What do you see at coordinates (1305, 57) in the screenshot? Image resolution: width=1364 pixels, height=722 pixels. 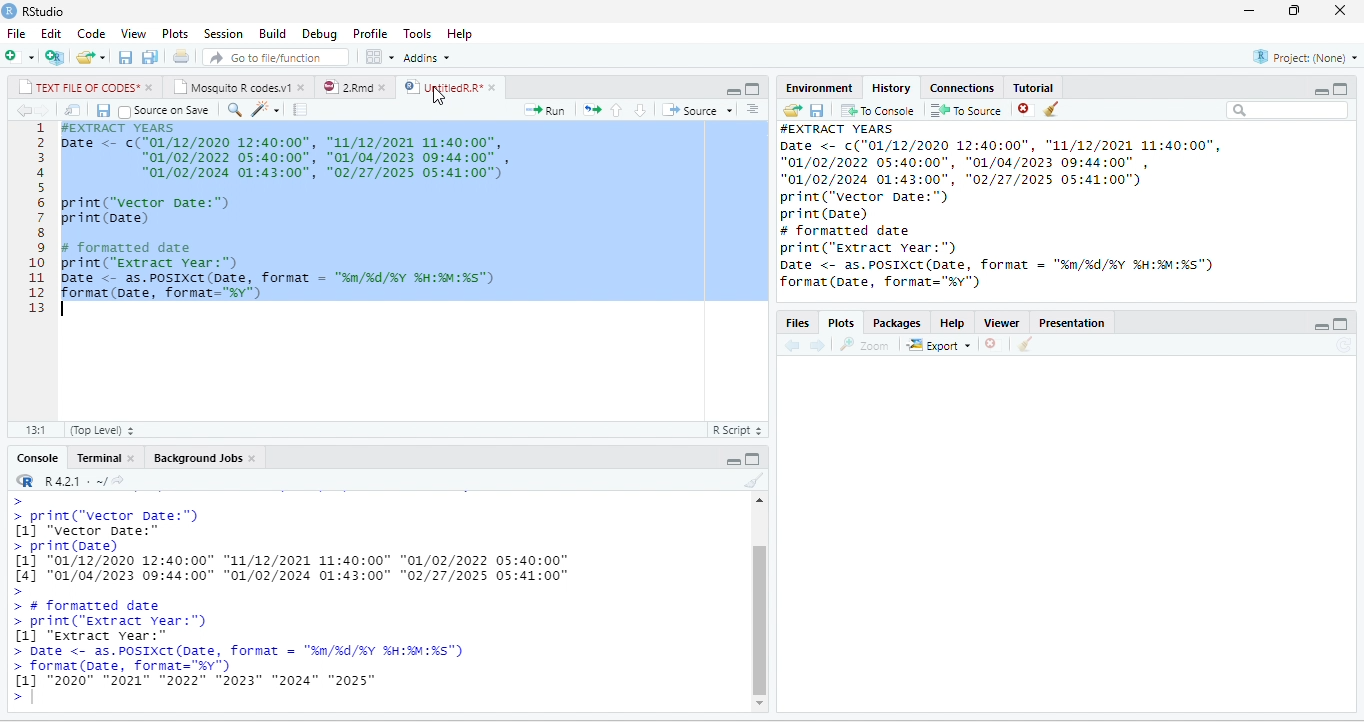 I see `Project(None)` at bounding box center [1305, 57].